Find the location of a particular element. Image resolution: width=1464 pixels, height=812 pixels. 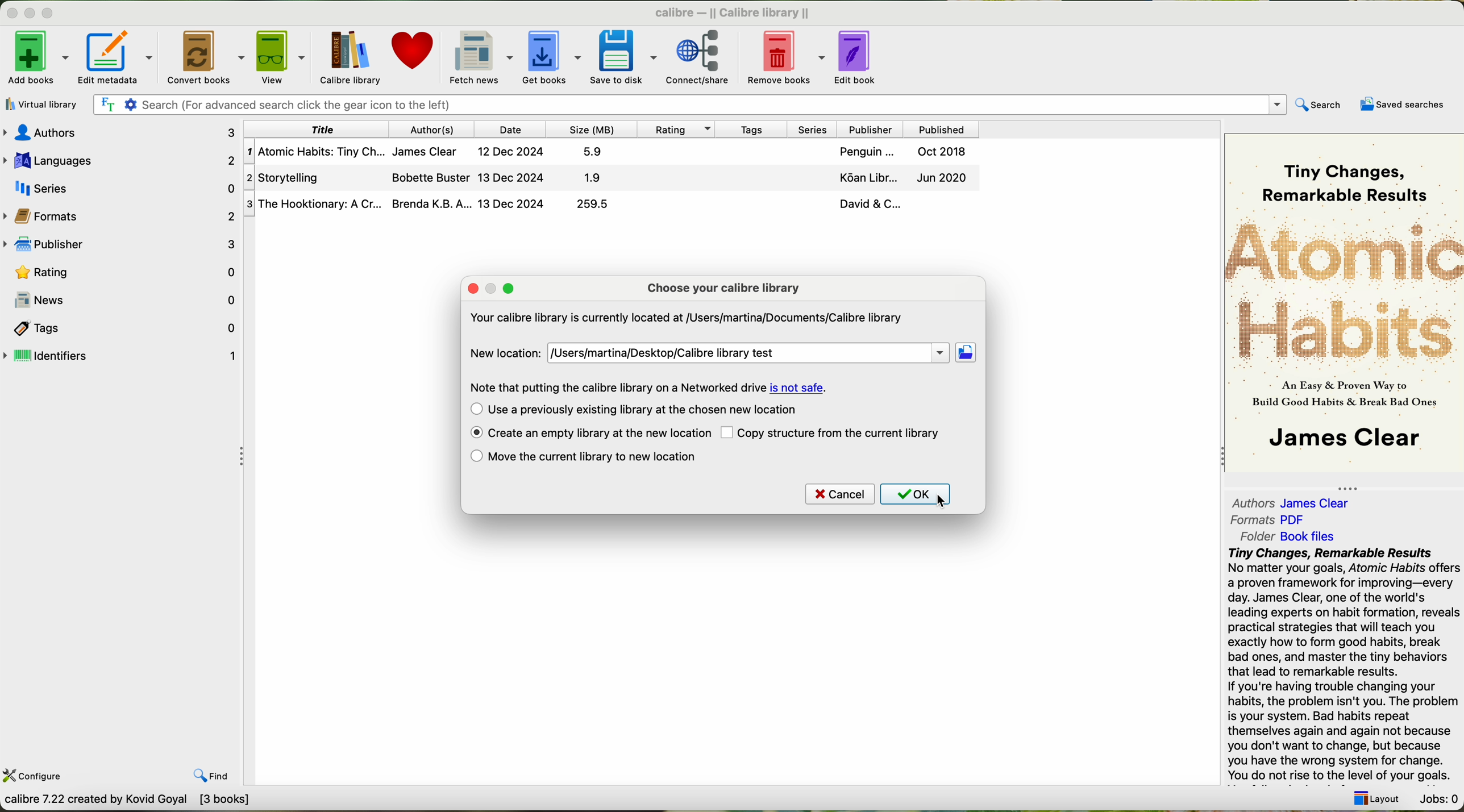

Note that putting the calibre library on a Networked drive is not safe. is located at coordinates (646, 387).